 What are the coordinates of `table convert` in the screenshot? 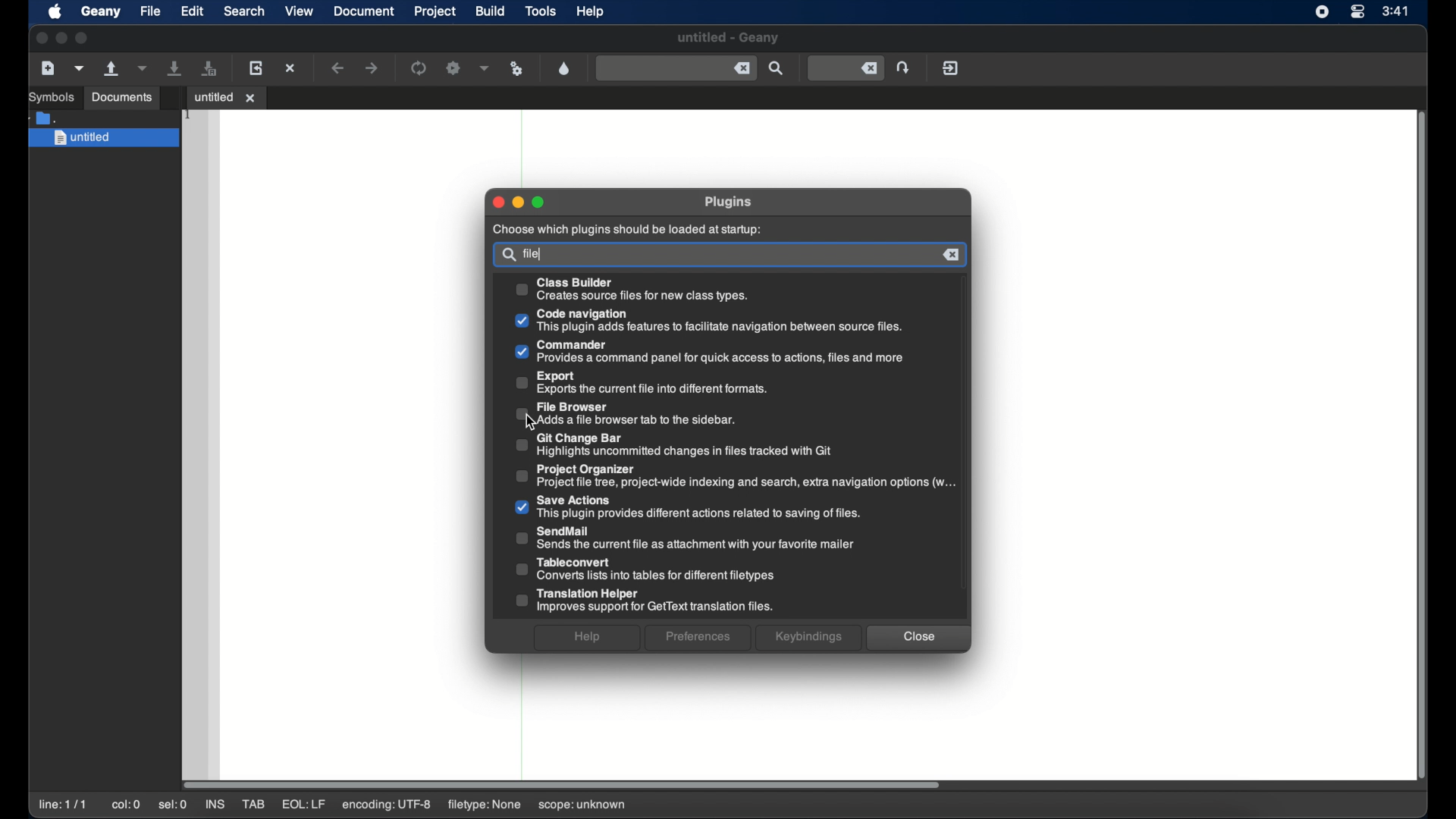 It's located at (645, 570).